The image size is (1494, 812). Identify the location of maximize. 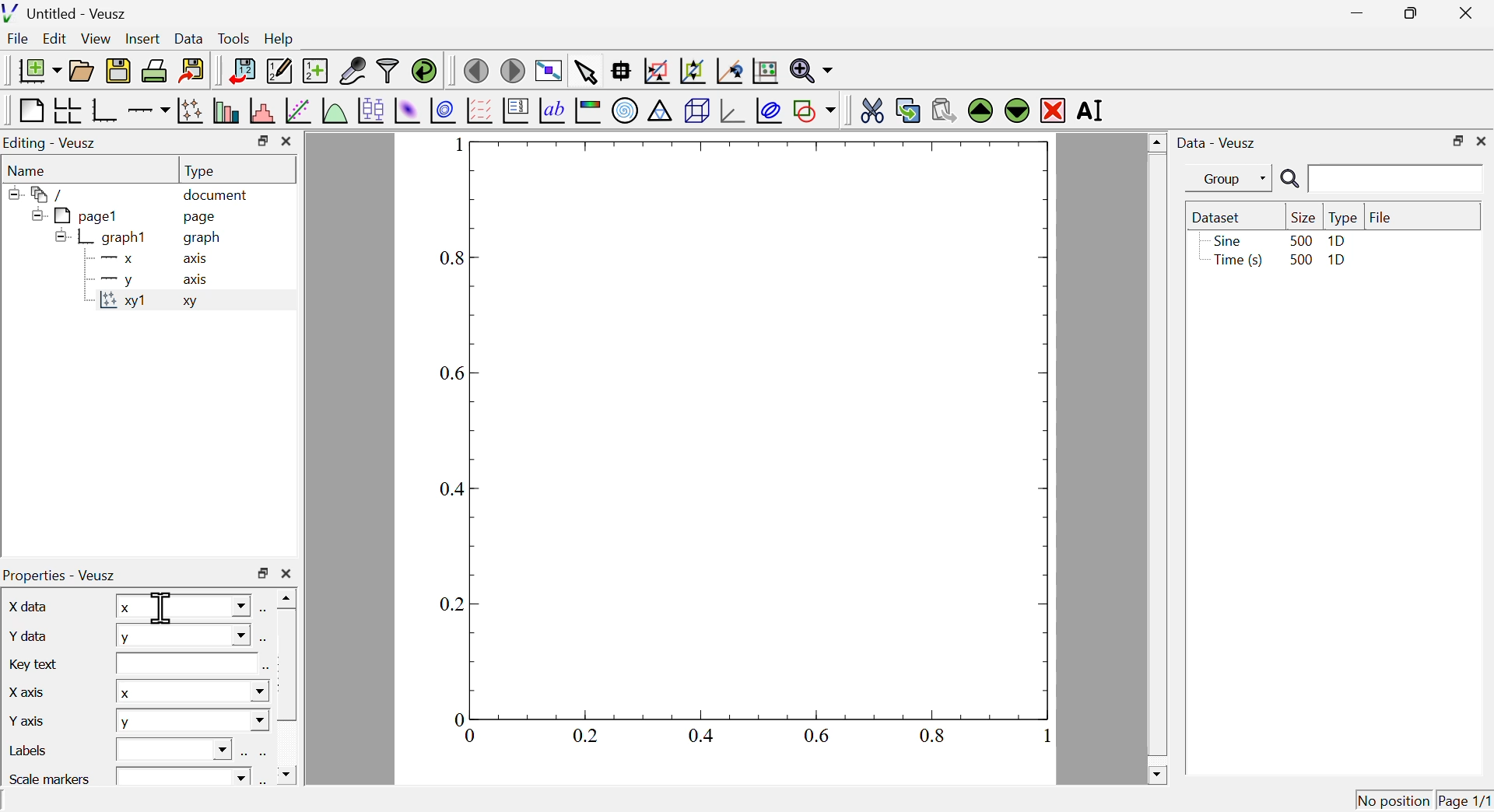
(1407, 14).